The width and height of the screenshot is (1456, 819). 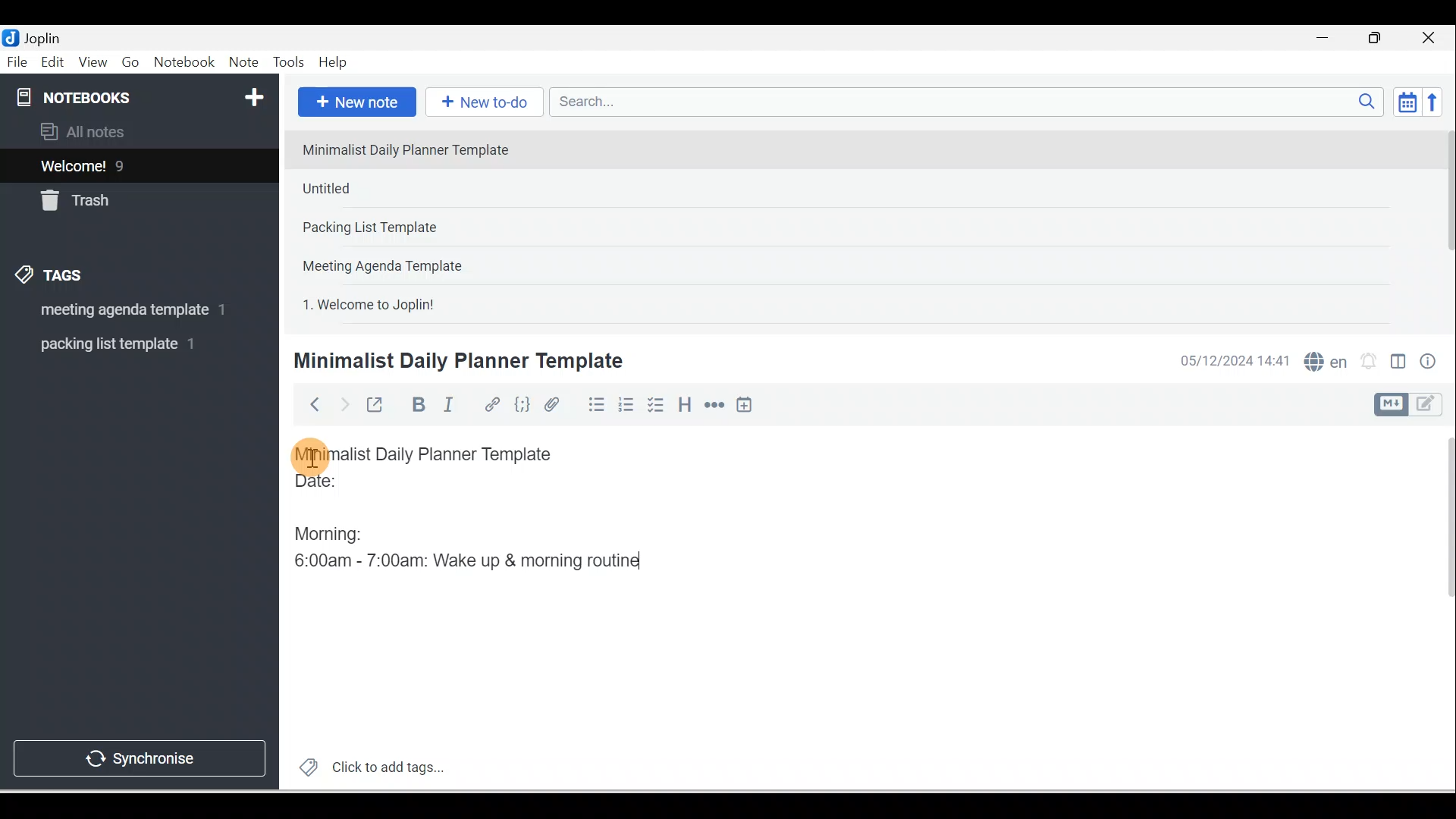 I want to click on Back, so click(x=308, y=404).